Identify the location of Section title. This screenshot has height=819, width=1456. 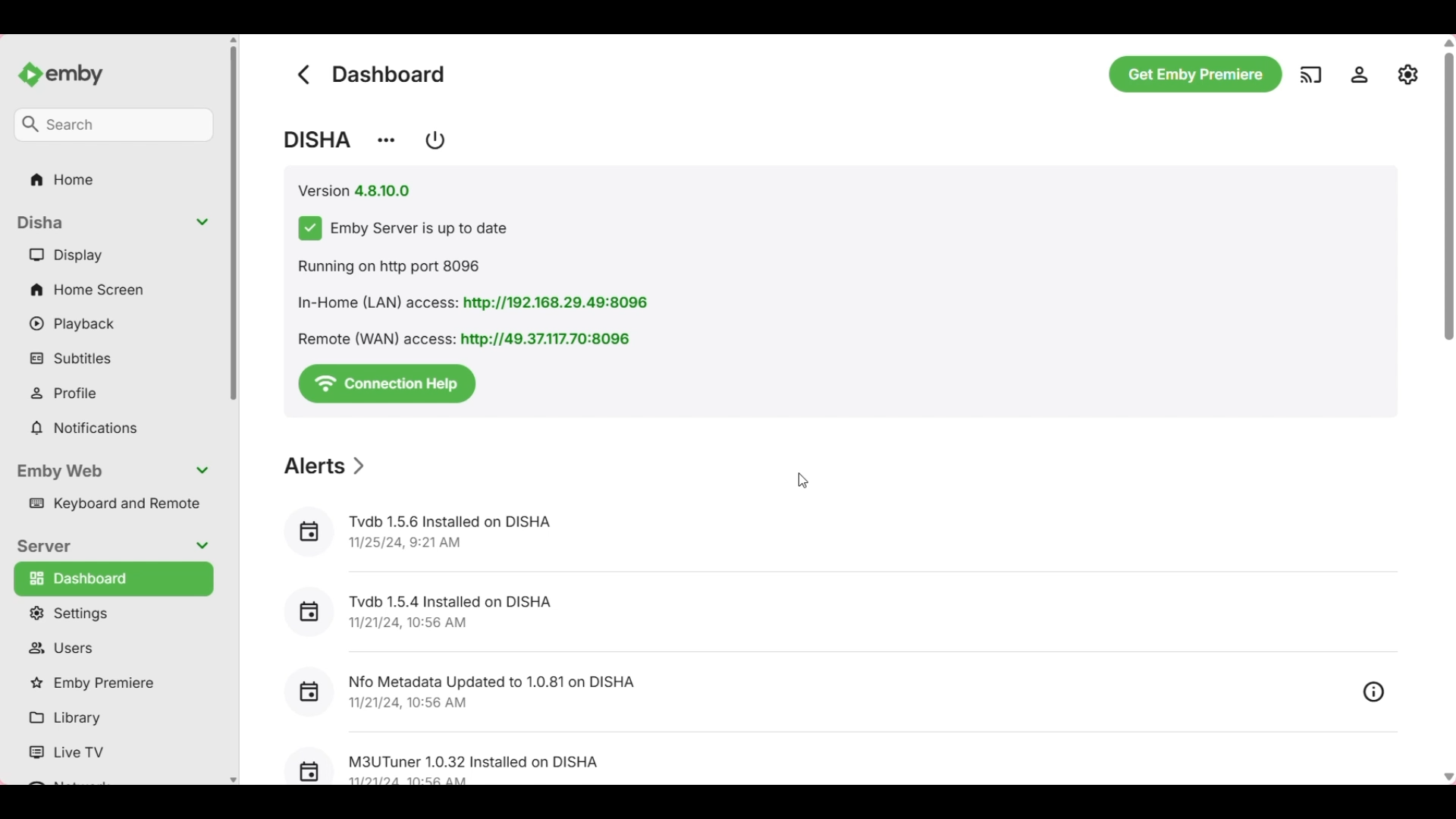
(324, 466).